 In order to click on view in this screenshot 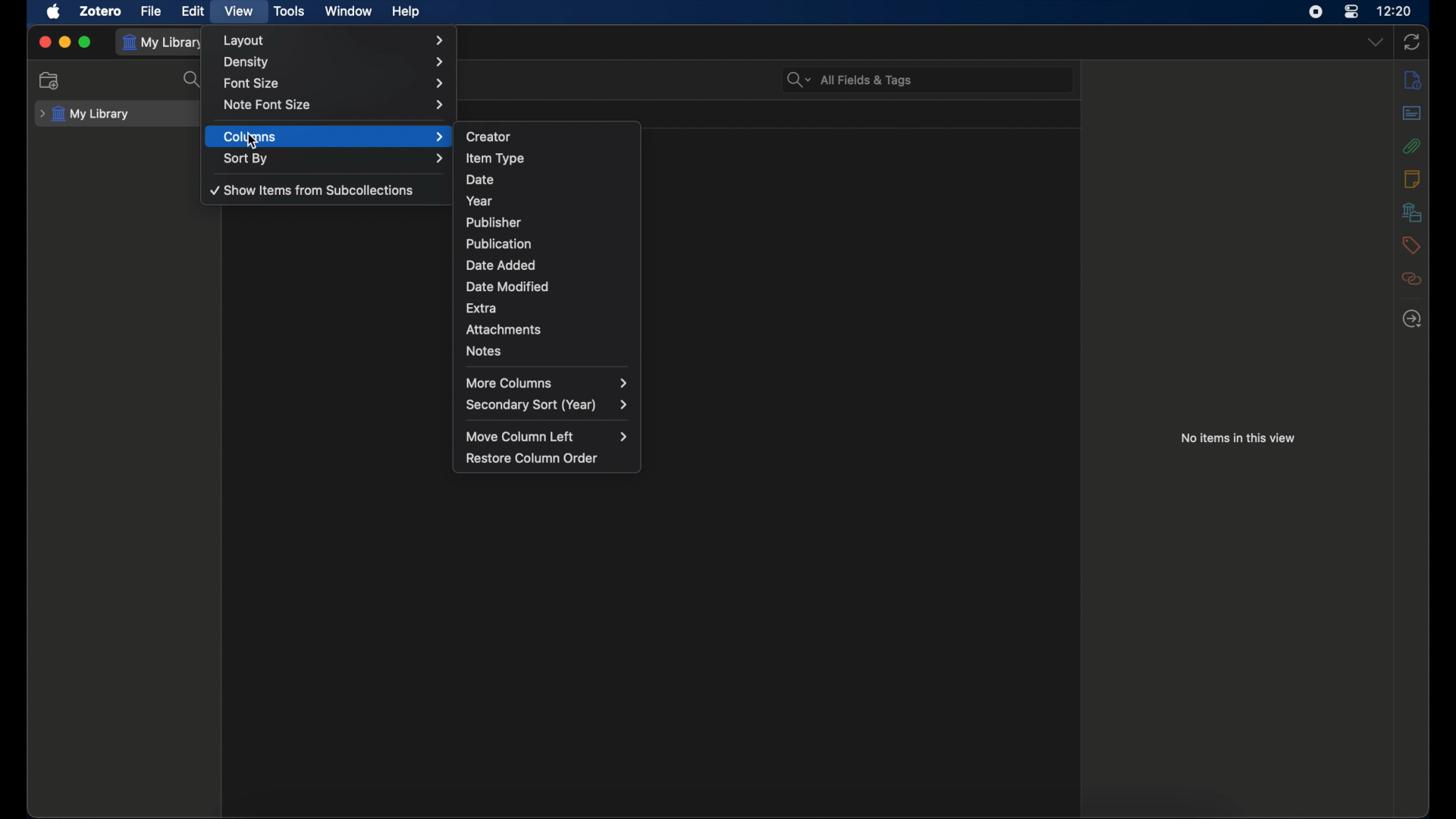, I will do `click(240, 11)`.